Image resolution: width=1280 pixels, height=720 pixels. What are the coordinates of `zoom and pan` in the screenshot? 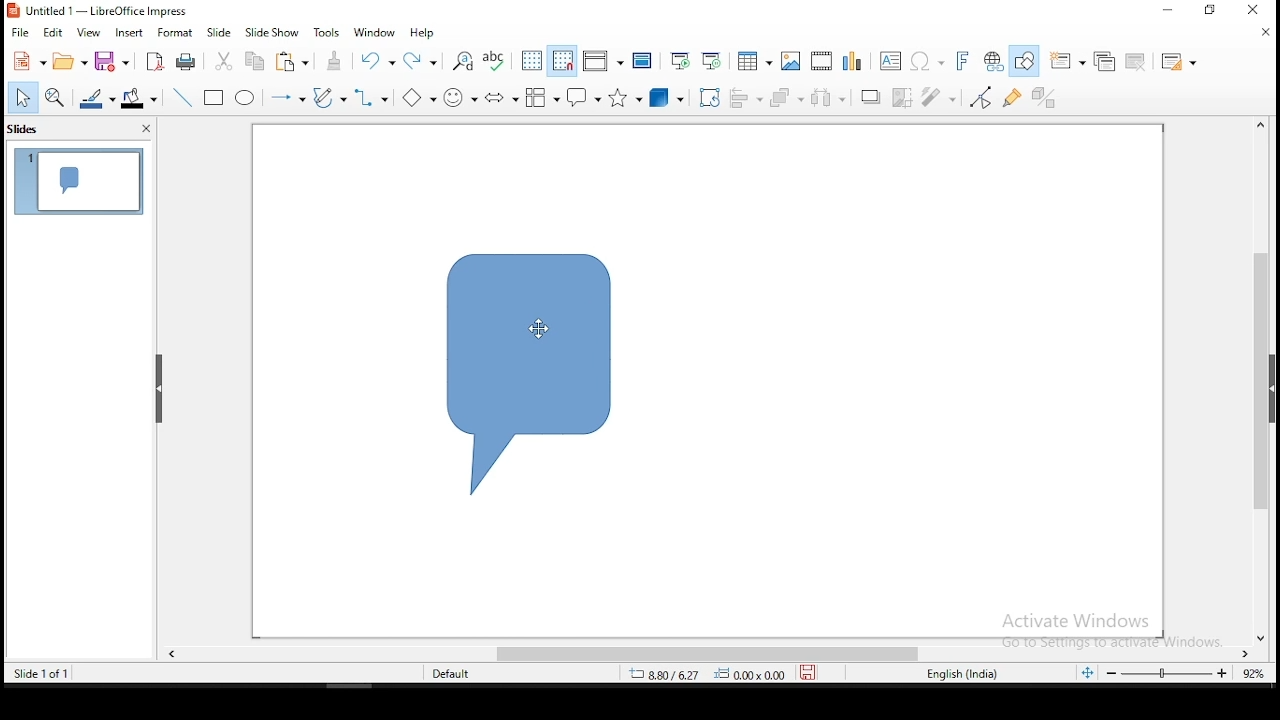 It's located at (56, 99).